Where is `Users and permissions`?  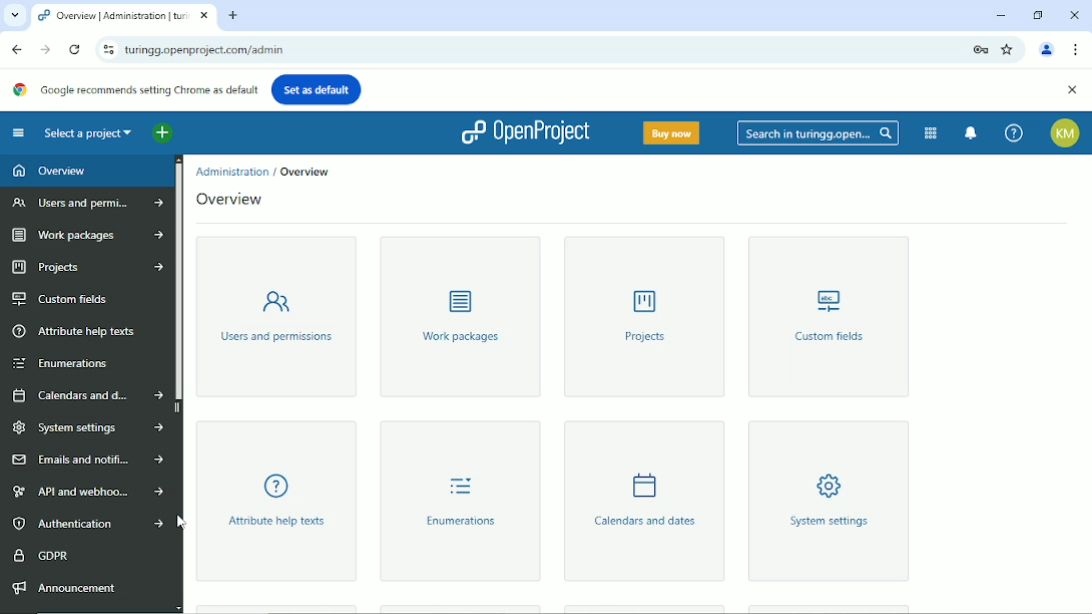
Users and permissions is located at coordinates (84, 204).